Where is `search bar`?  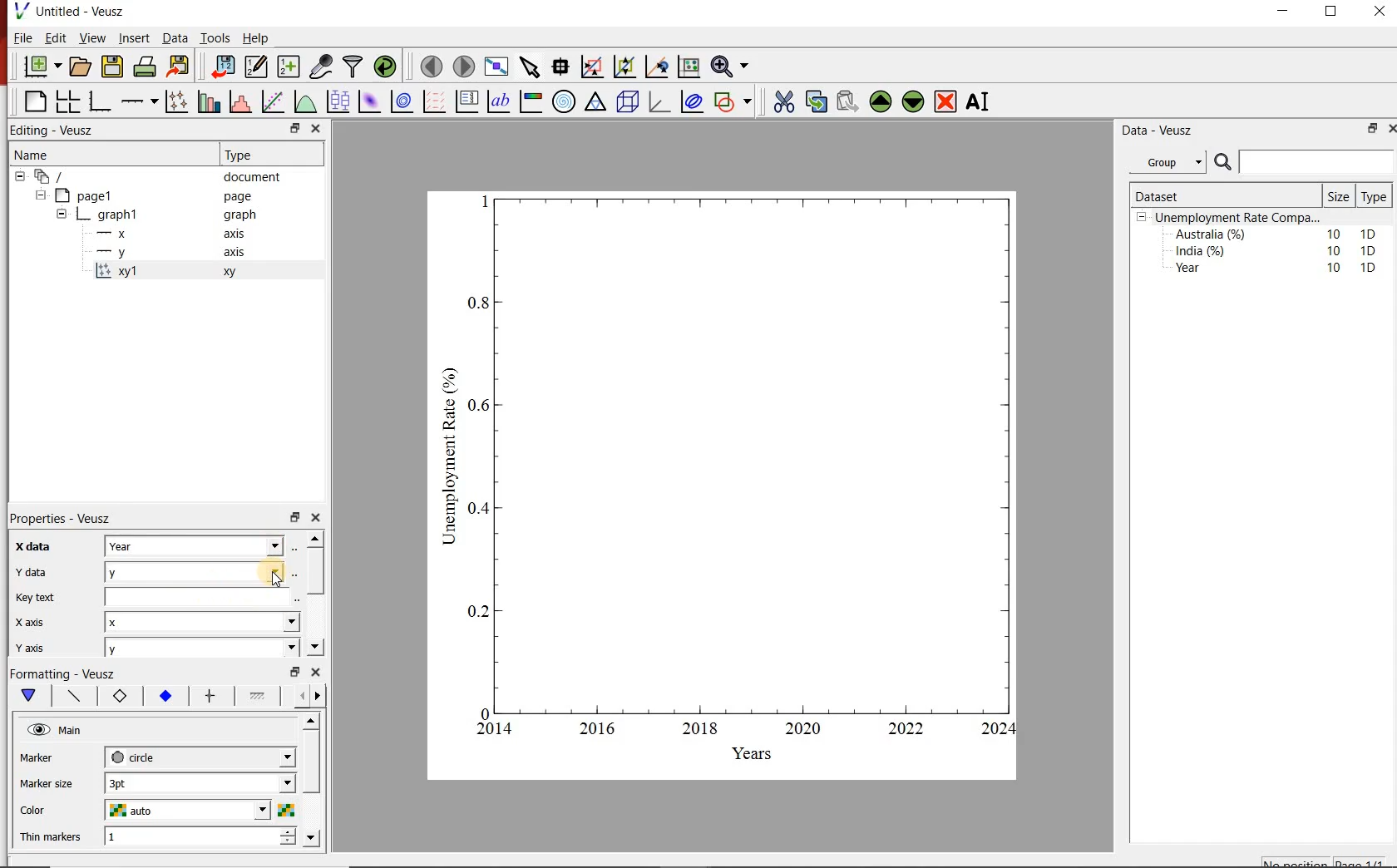 search bar is located at coordinates (1302, 162).